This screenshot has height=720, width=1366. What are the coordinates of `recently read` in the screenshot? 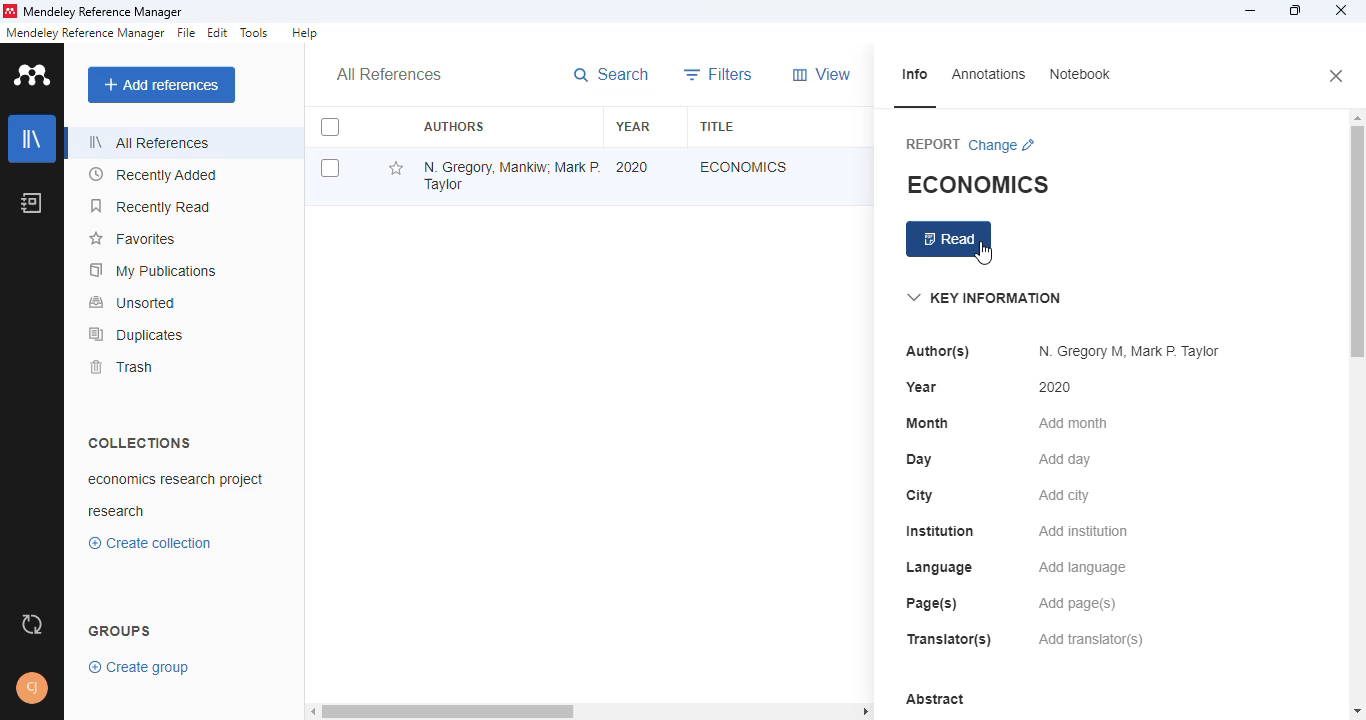 It's located at (149, 206).